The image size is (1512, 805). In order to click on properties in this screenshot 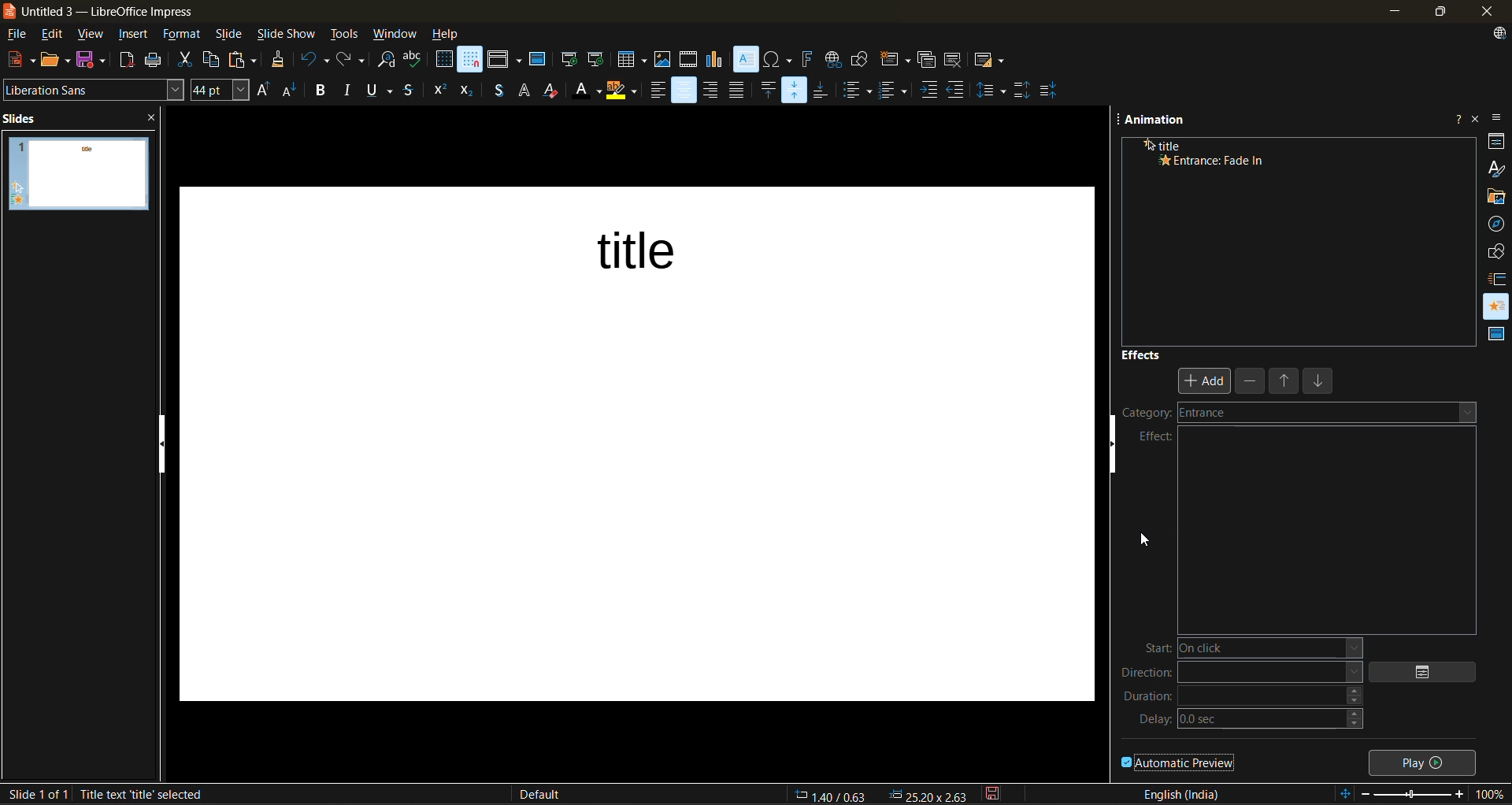, I will do `click(1497, 140)`.